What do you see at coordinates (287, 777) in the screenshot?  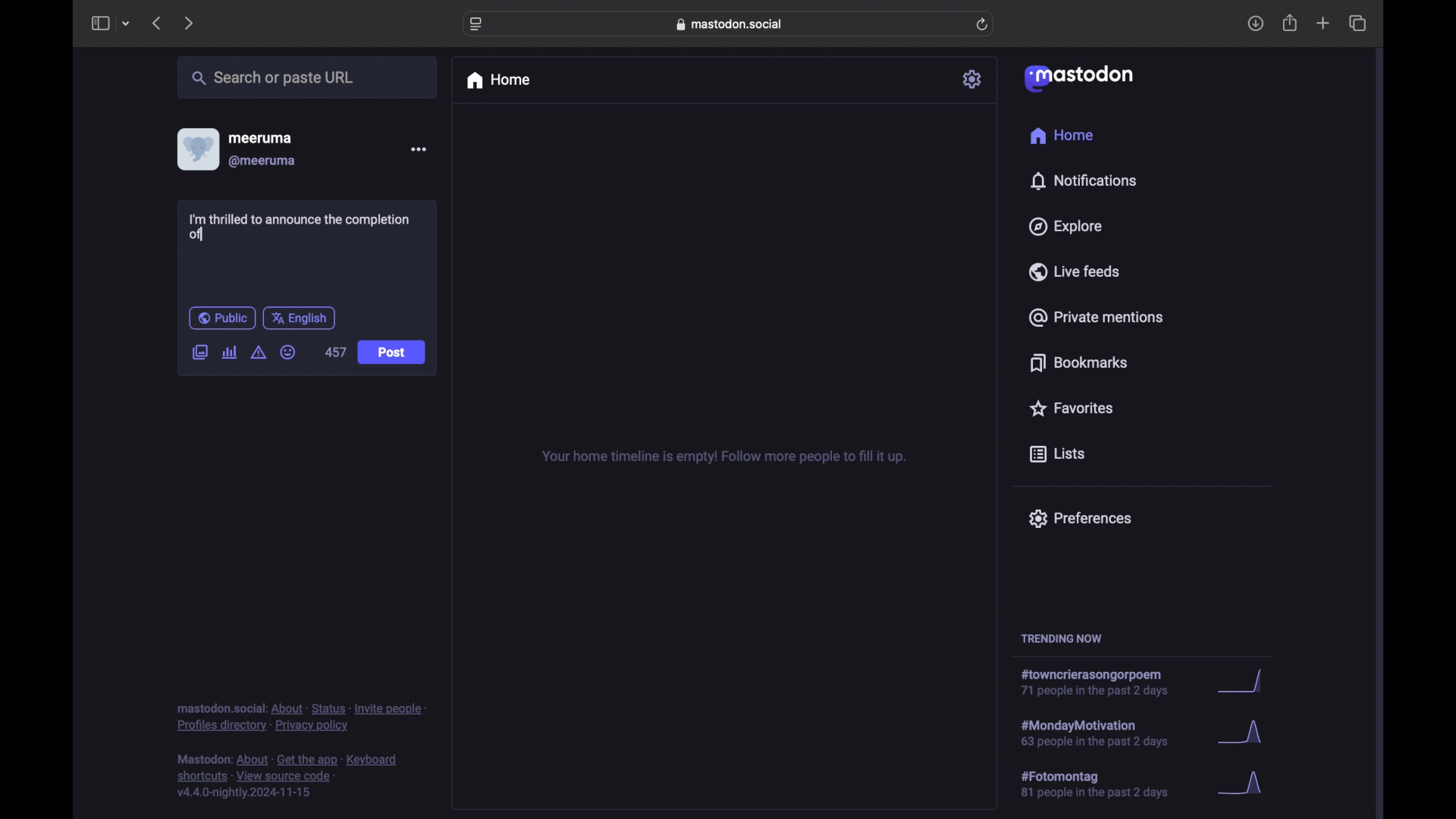 I see `footnote` at bounding box center [287, 777].